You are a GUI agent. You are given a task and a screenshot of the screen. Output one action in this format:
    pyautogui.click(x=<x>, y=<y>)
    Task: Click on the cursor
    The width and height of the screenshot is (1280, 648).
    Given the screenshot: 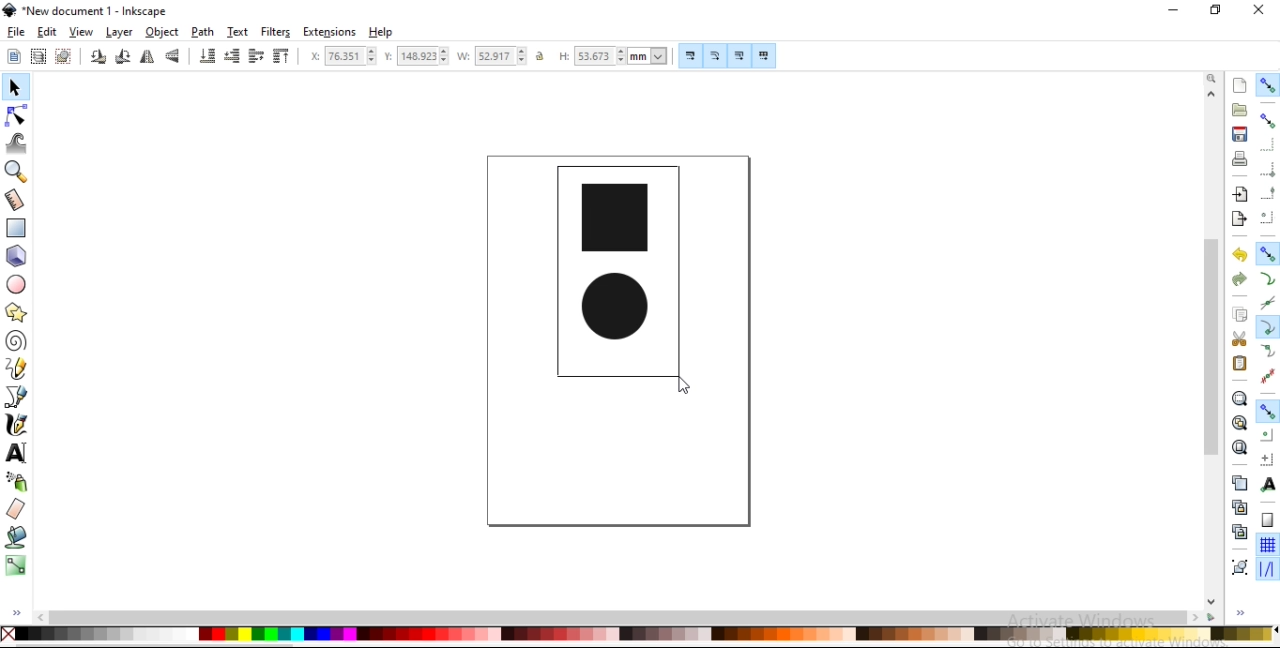 What is the action you would take?
    pyautogui.click(x=682, y=386)
    